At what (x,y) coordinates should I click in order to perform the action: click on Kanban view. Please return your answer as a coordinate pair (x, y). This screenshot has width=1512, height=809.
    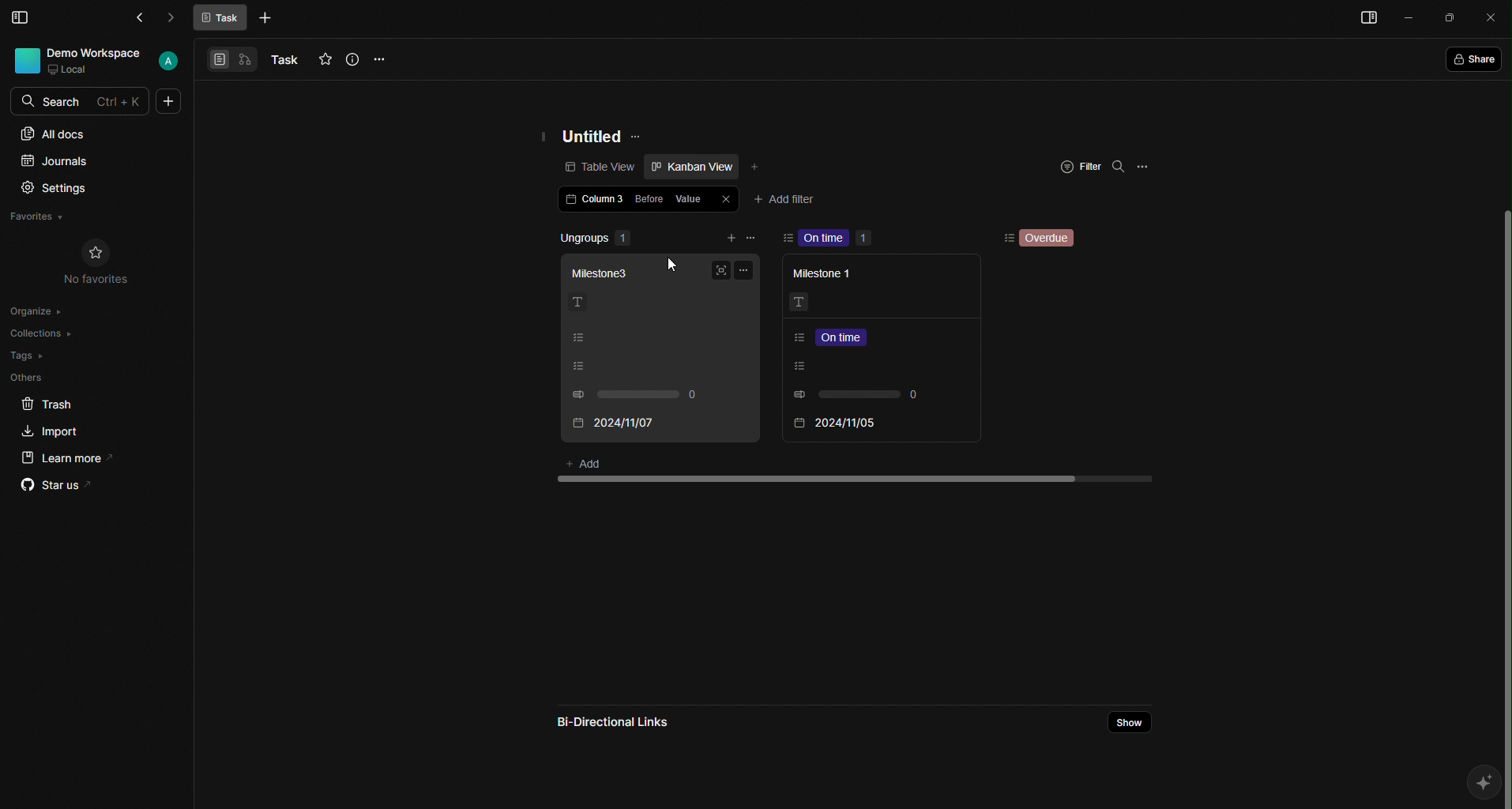
    Looking at the image, I should click on (690, 166).